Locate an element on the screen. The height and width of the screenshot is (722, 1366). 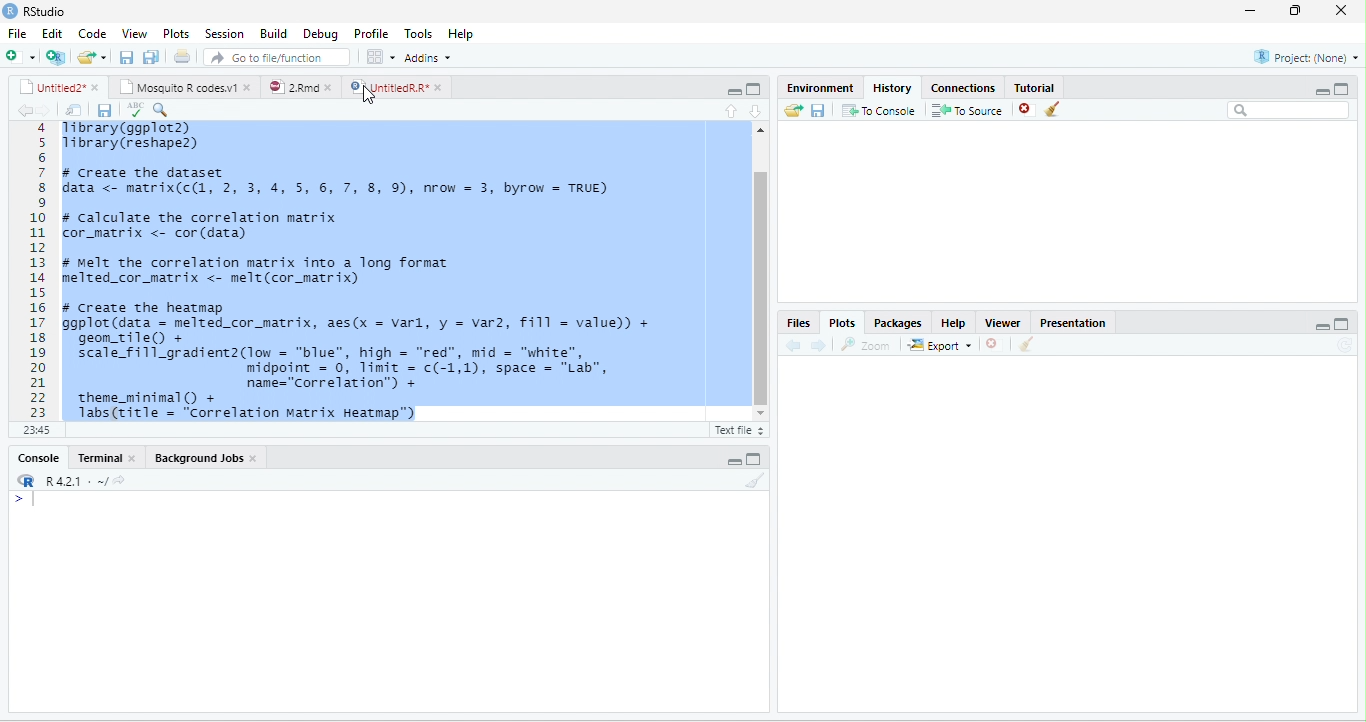
 is located at coordinates (762, 109).